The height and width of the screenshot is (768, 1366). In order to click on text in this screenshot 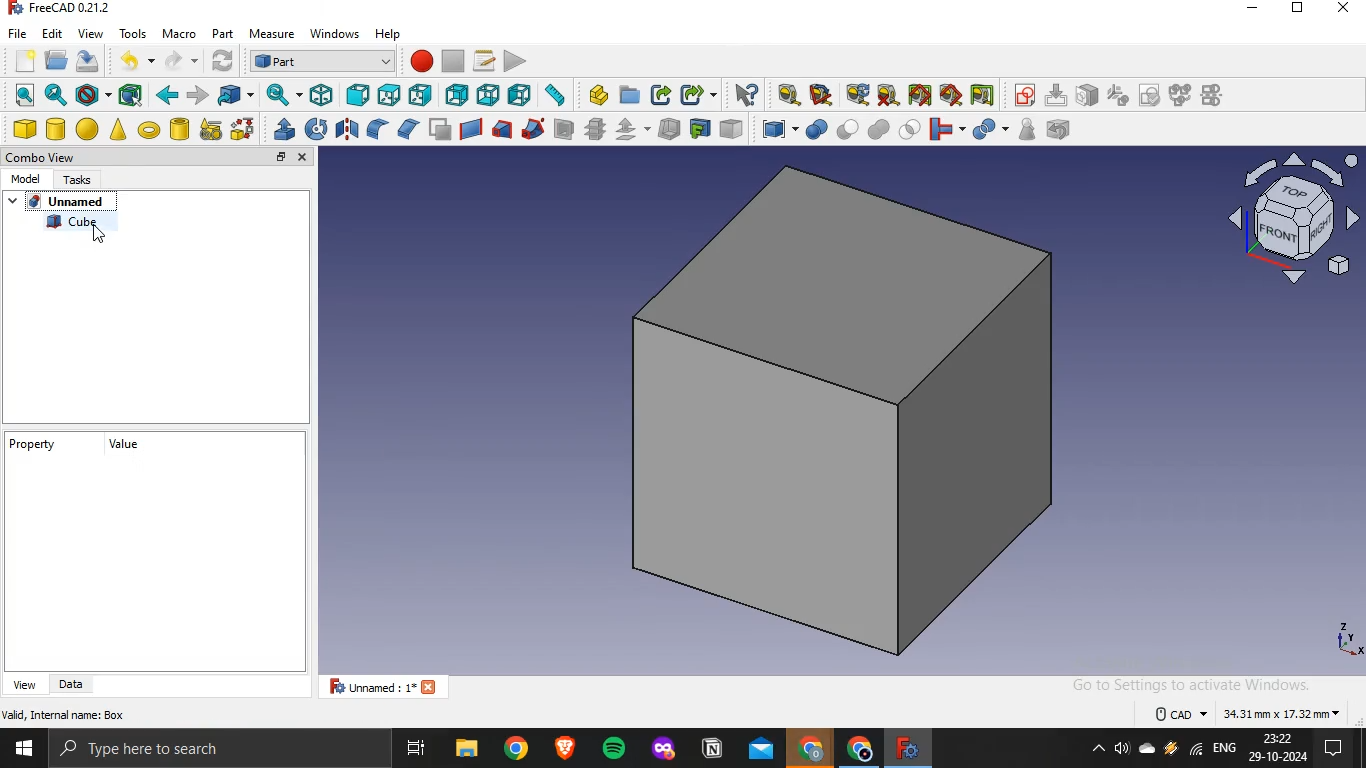, I will do `click(66, 714)`.